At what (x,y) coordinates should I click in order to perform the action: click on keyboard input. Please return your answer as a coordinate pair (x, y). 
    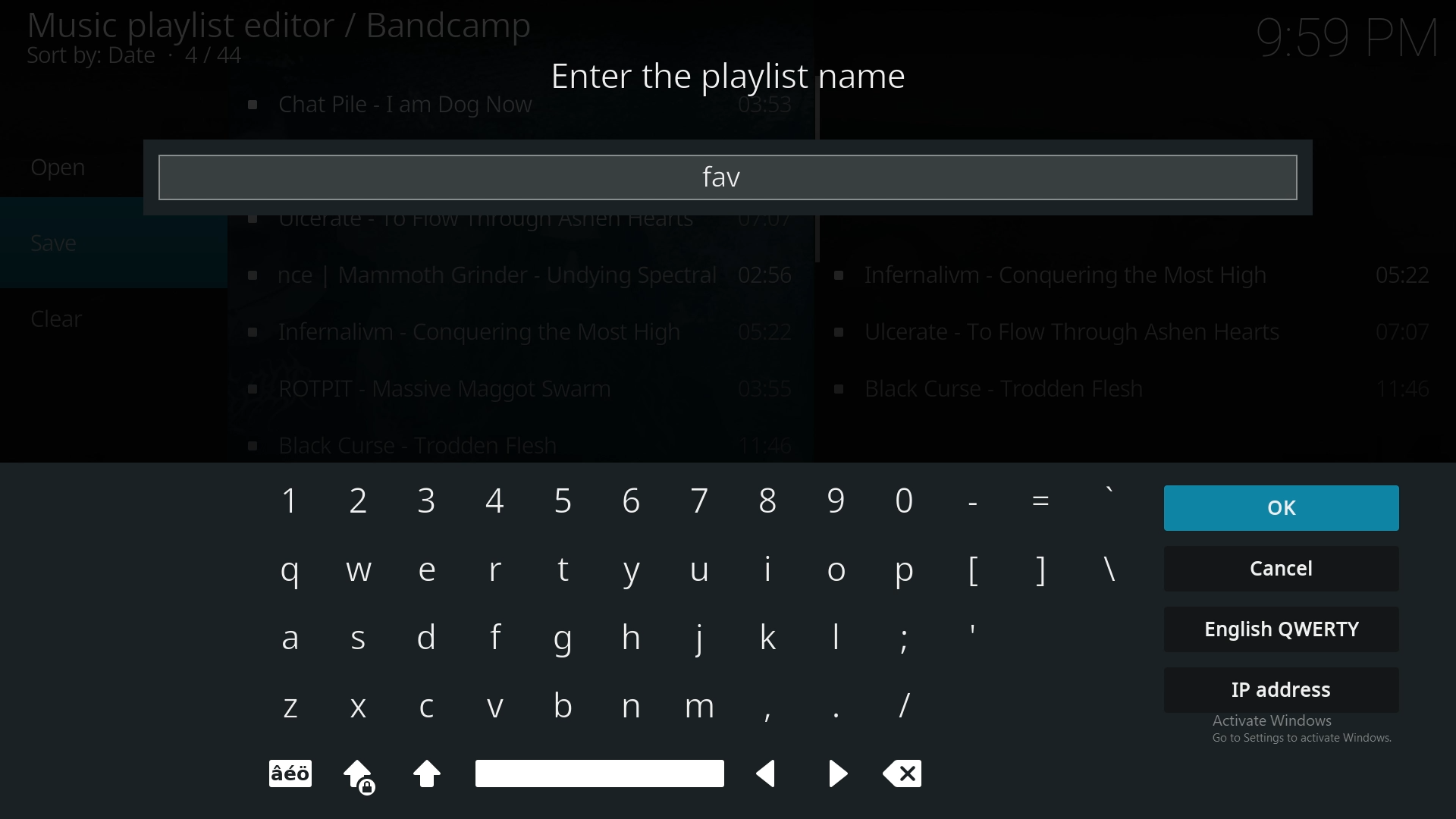
    Looking at the image, I should click on (626, 708).